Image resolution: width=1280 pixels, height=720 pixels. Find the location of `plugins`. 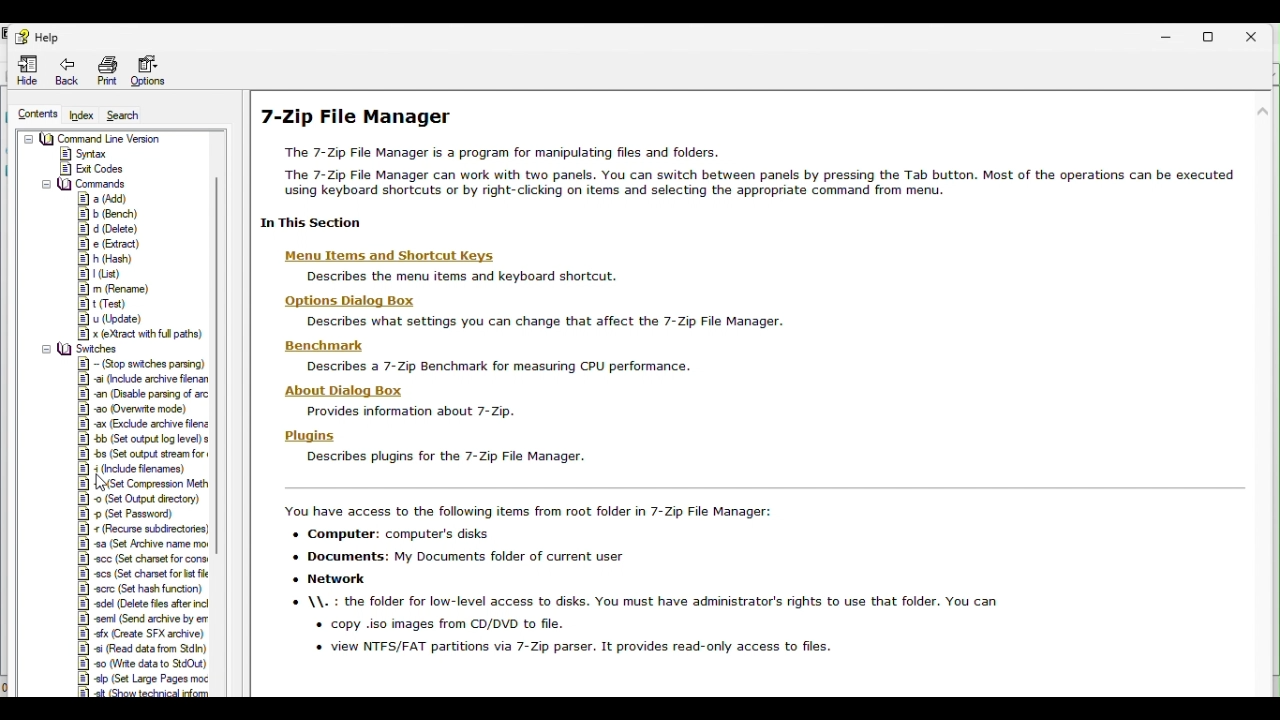

plugins is located at coordinates (311, 435).